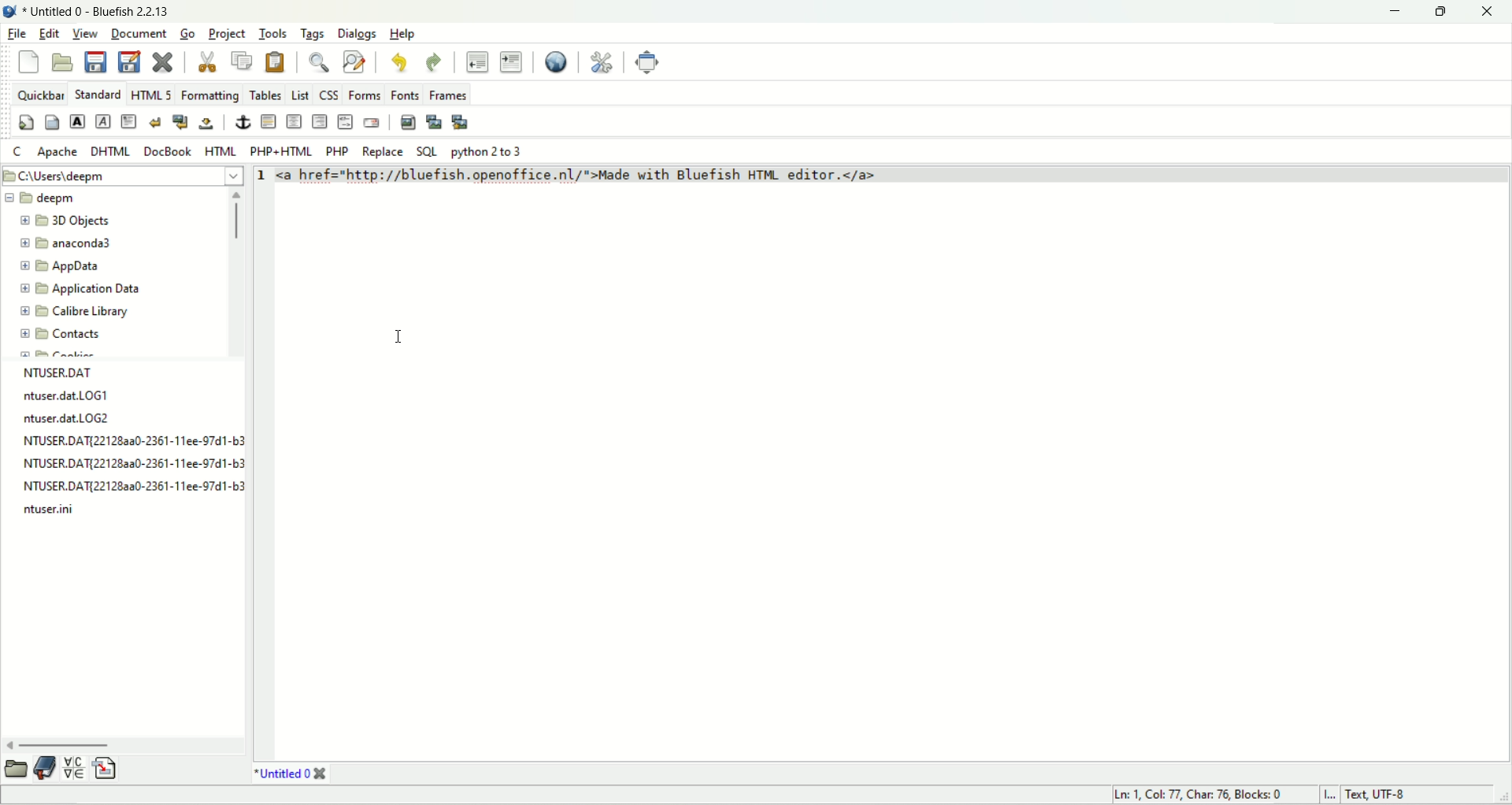 This screenshot has height=805, width=1512. What do you see at coordinates (602, 62) in the screenshot?
I see `edit references` at bounding box center [602, 62].